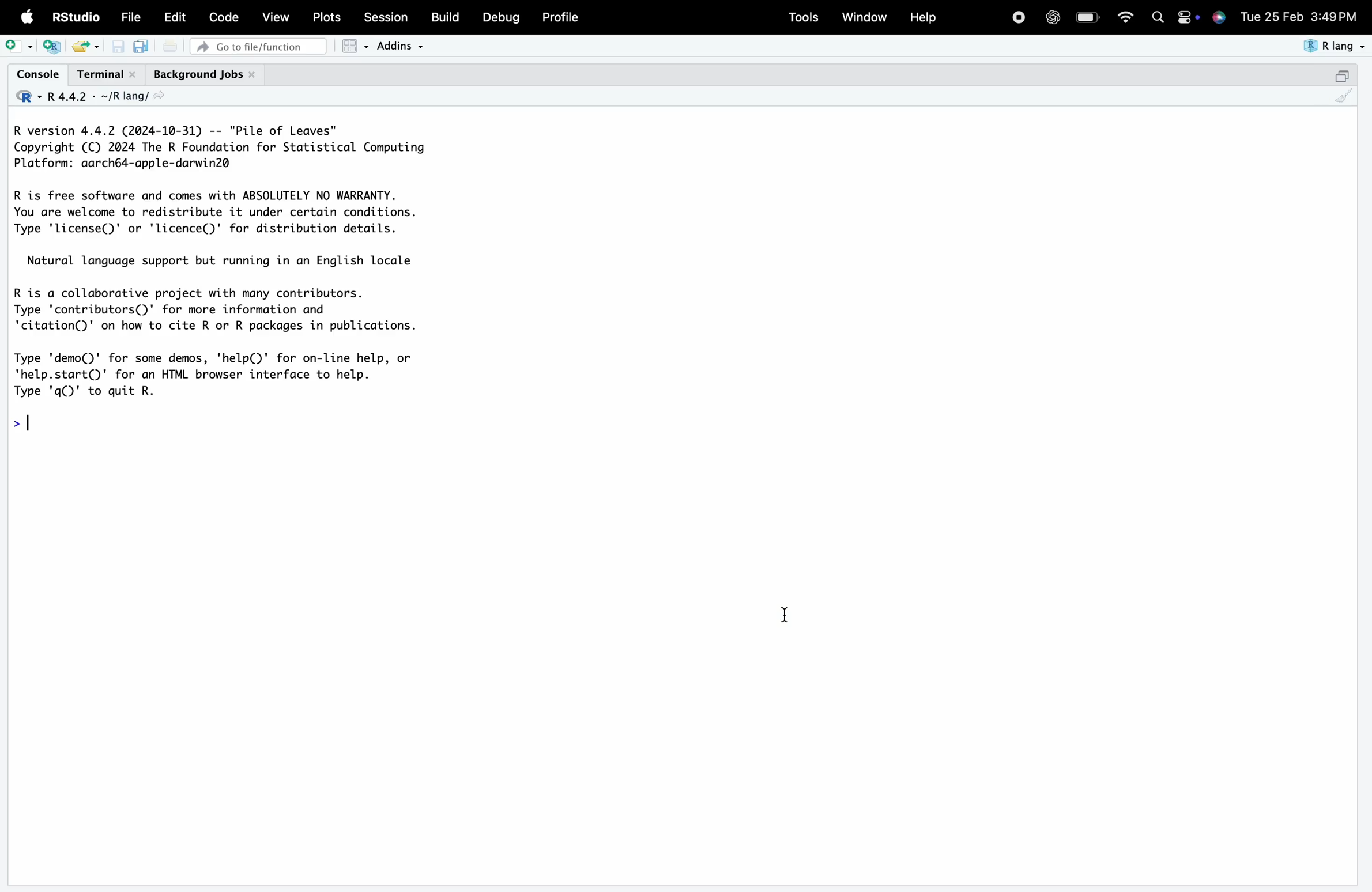  What do you see at coordinates (96, 47) in the screenshot?
I see `open recent files` at bounding box center [96, 47].